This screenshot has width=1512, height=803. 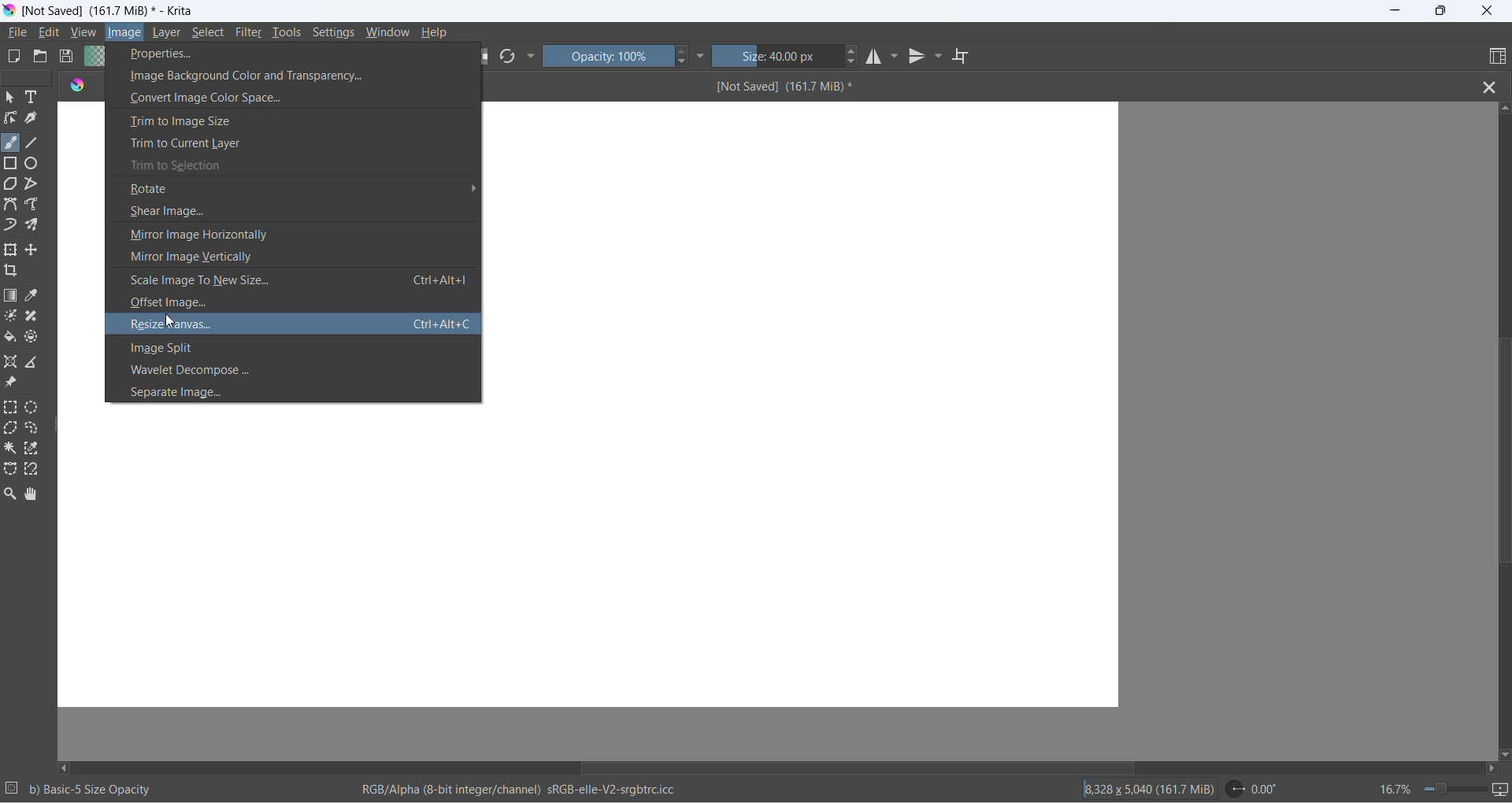 What do you see at coordinates (31, 118) in the screenshot?
I see `calligraphy` at bounding box center [31, 118].